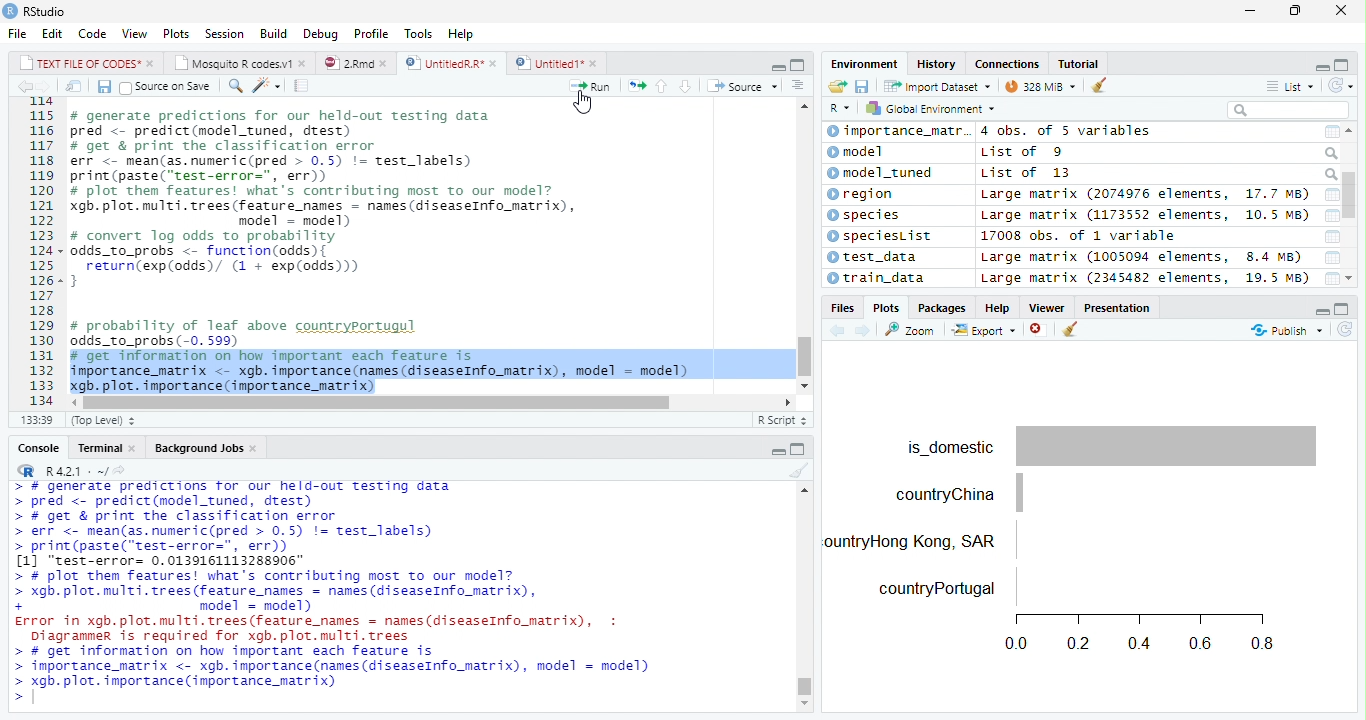  Describe the element at coordinates (877, 277) in the screenshot. I see `train data` at that location.